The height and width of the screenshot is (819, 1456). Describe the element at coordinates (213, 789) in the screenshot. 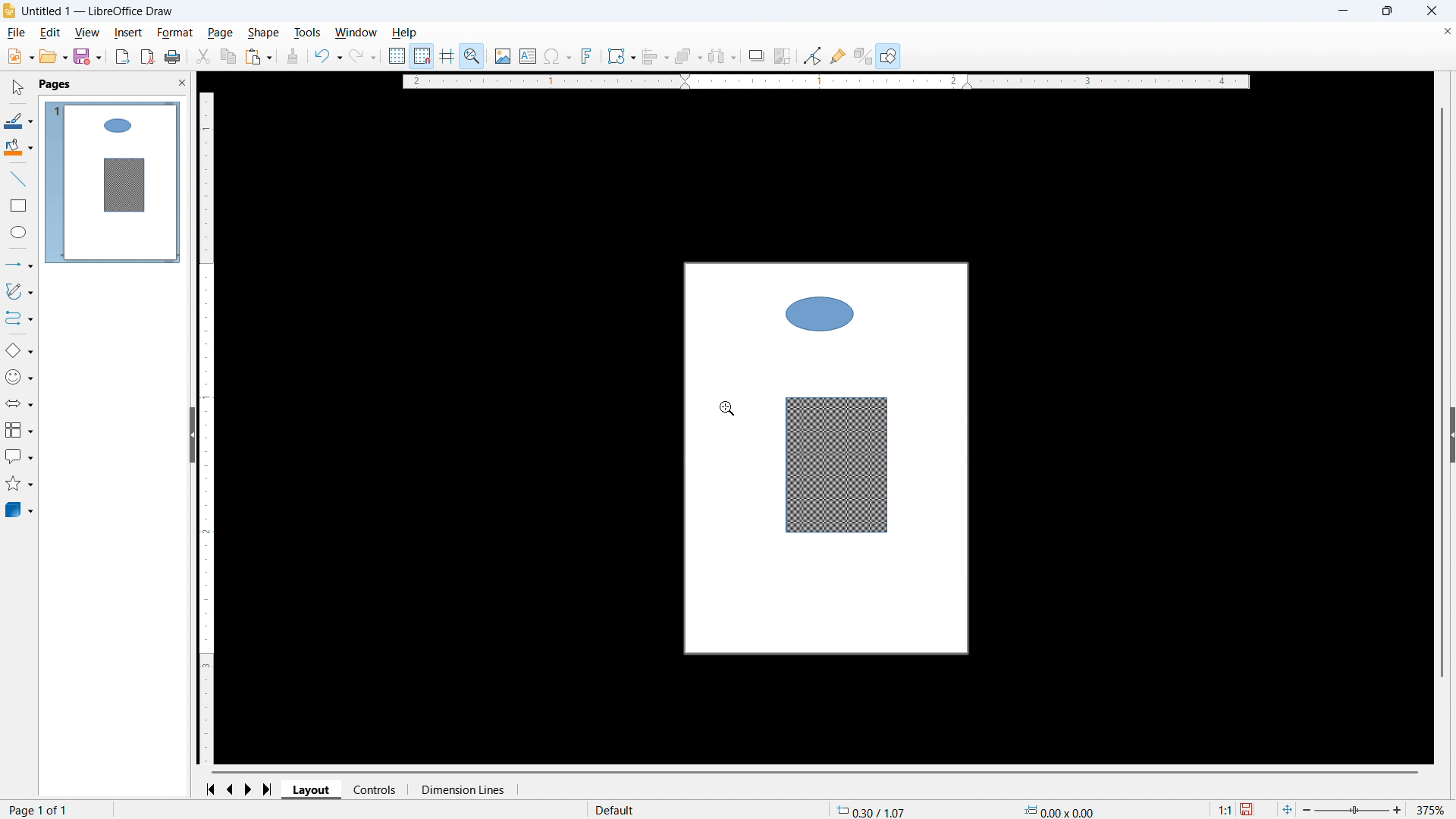

I see `Go to first page ` at that location.